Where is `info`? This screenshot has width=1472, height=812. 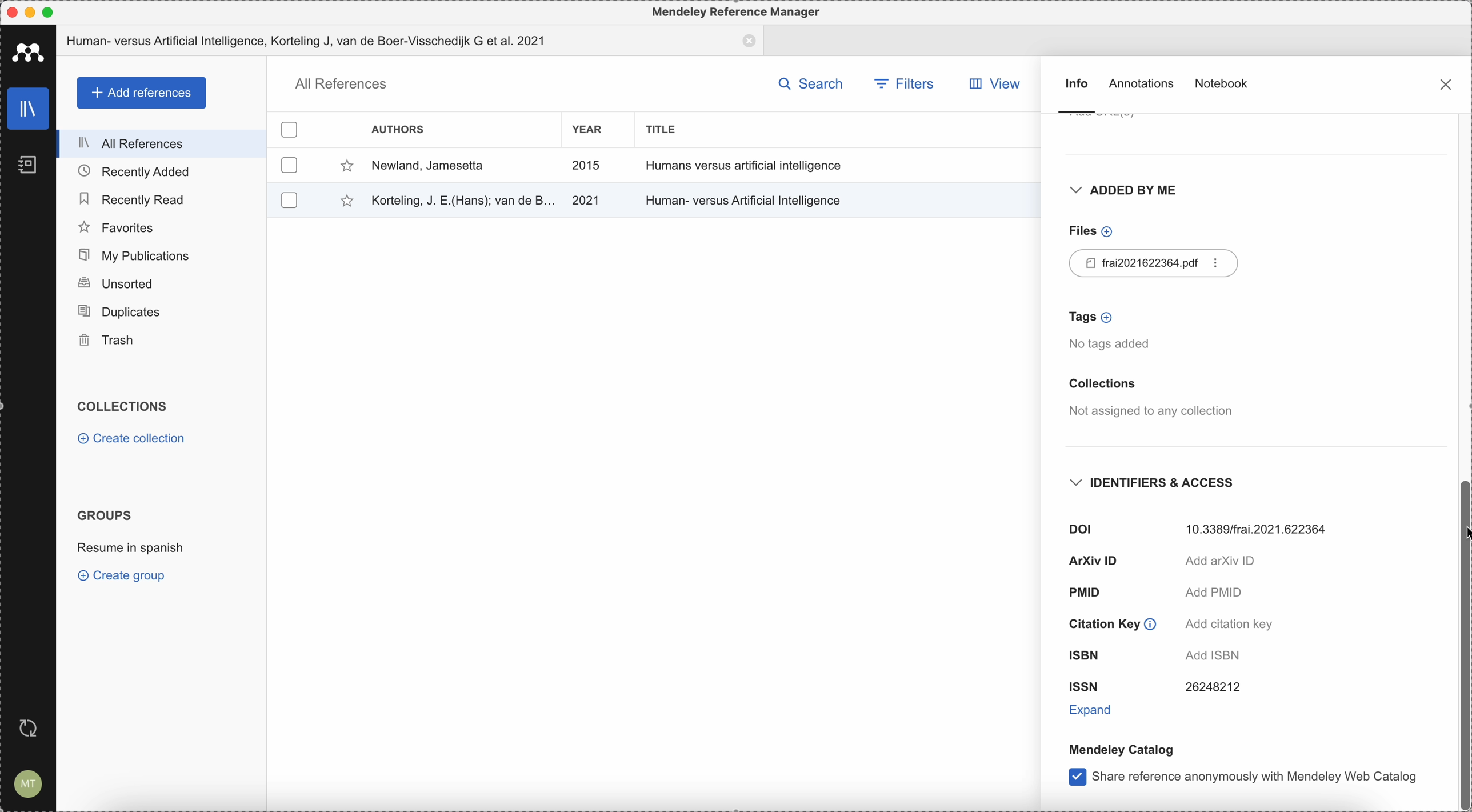 info is located at coordinates (1075, 95).